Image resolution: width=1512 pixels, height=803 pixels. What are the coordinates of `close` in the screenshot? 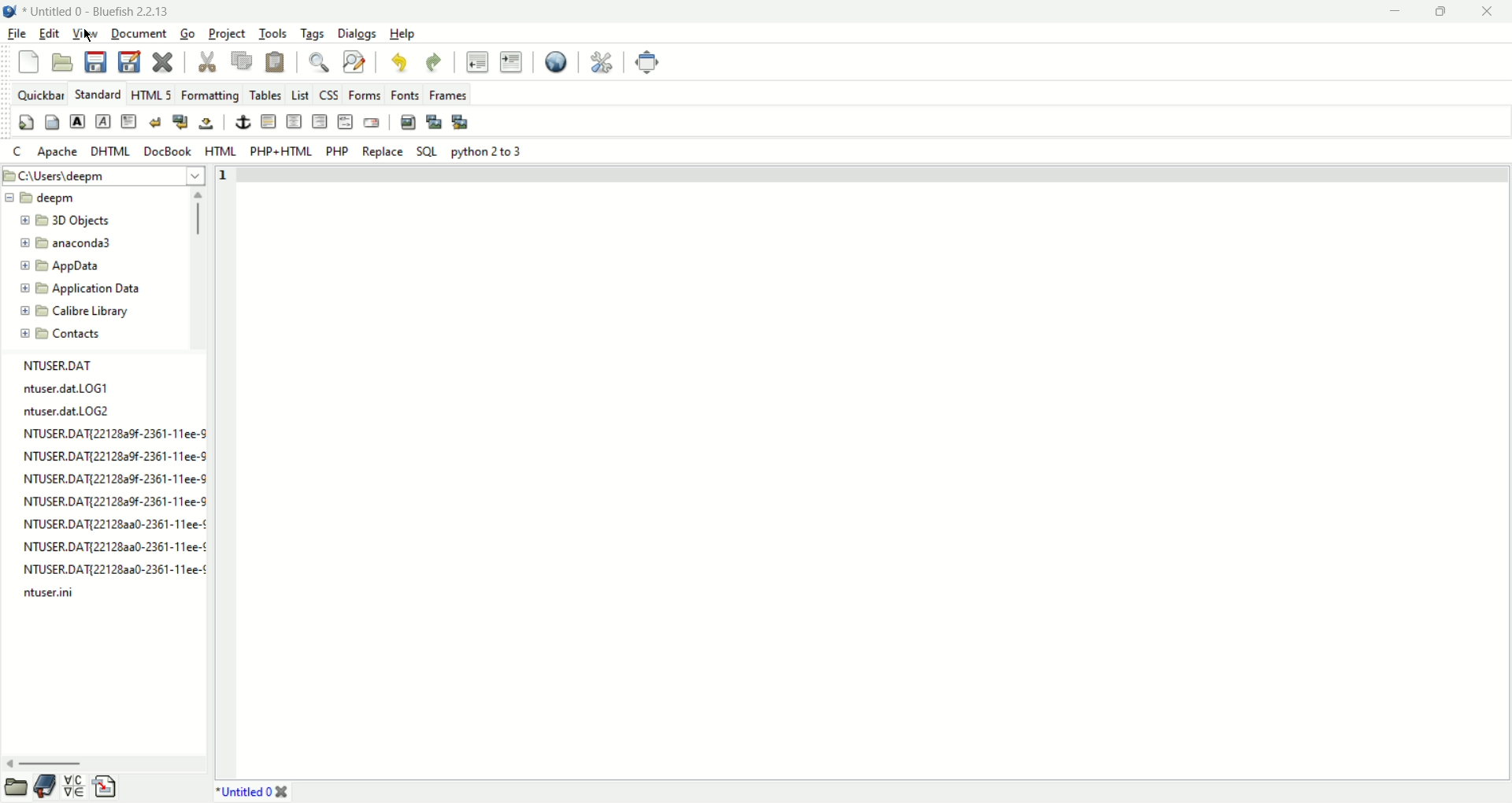 It's located at (161, 61).